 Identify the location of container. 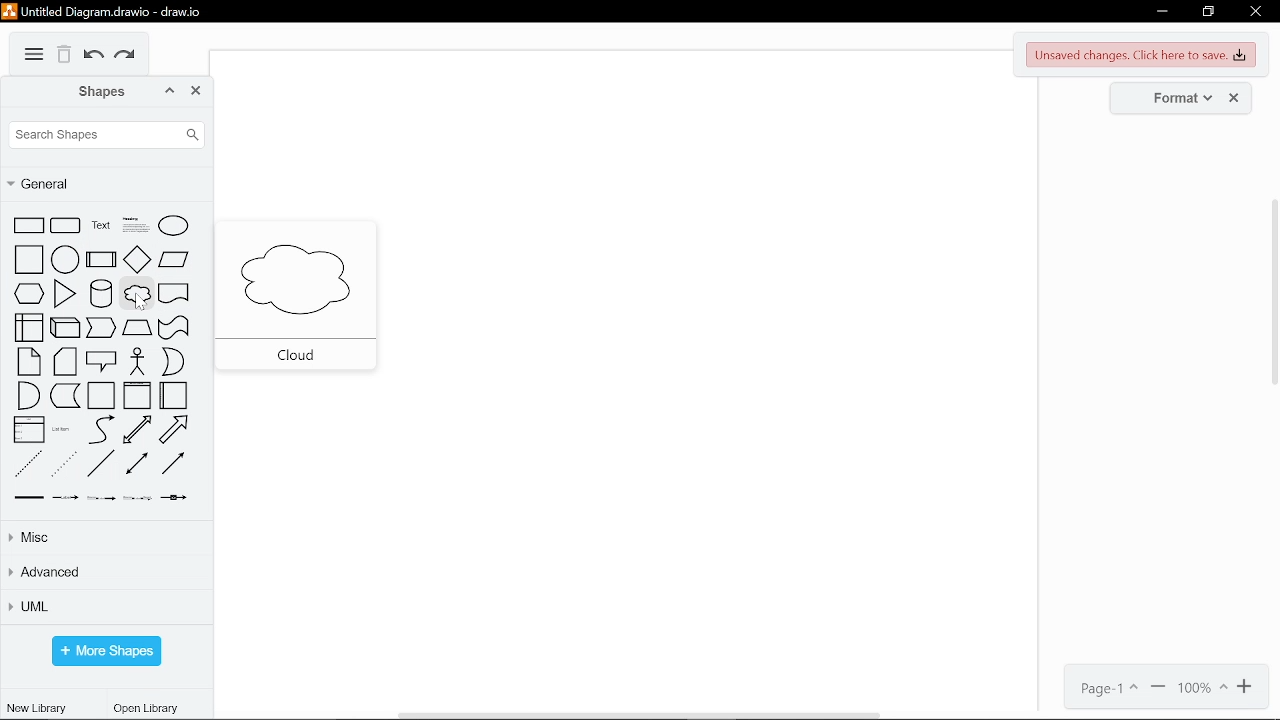
(102, 396).